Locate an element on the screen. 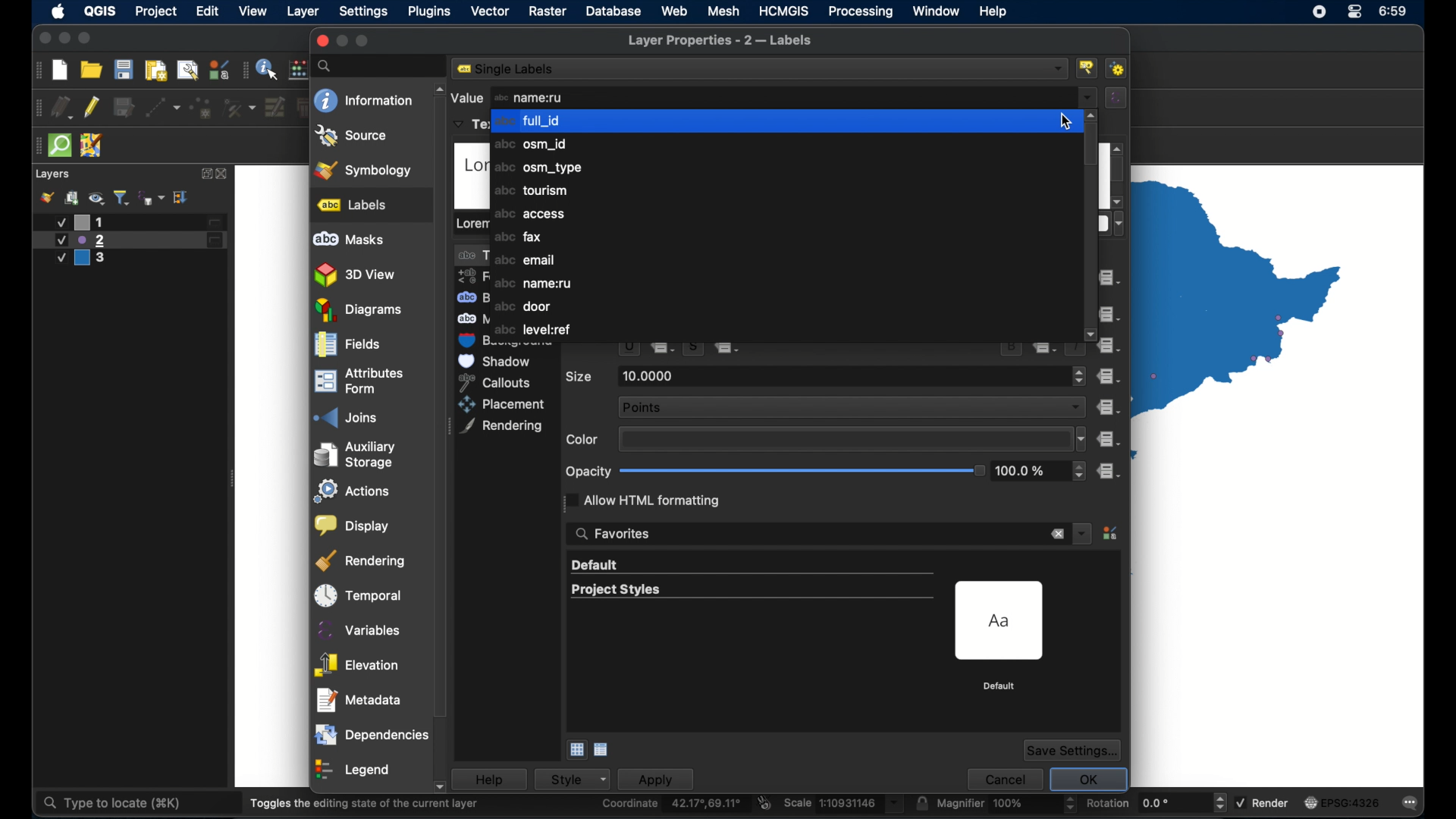 The width and height of the screenshot is (1456, 819). icon view is located at coordinates (576, 750).